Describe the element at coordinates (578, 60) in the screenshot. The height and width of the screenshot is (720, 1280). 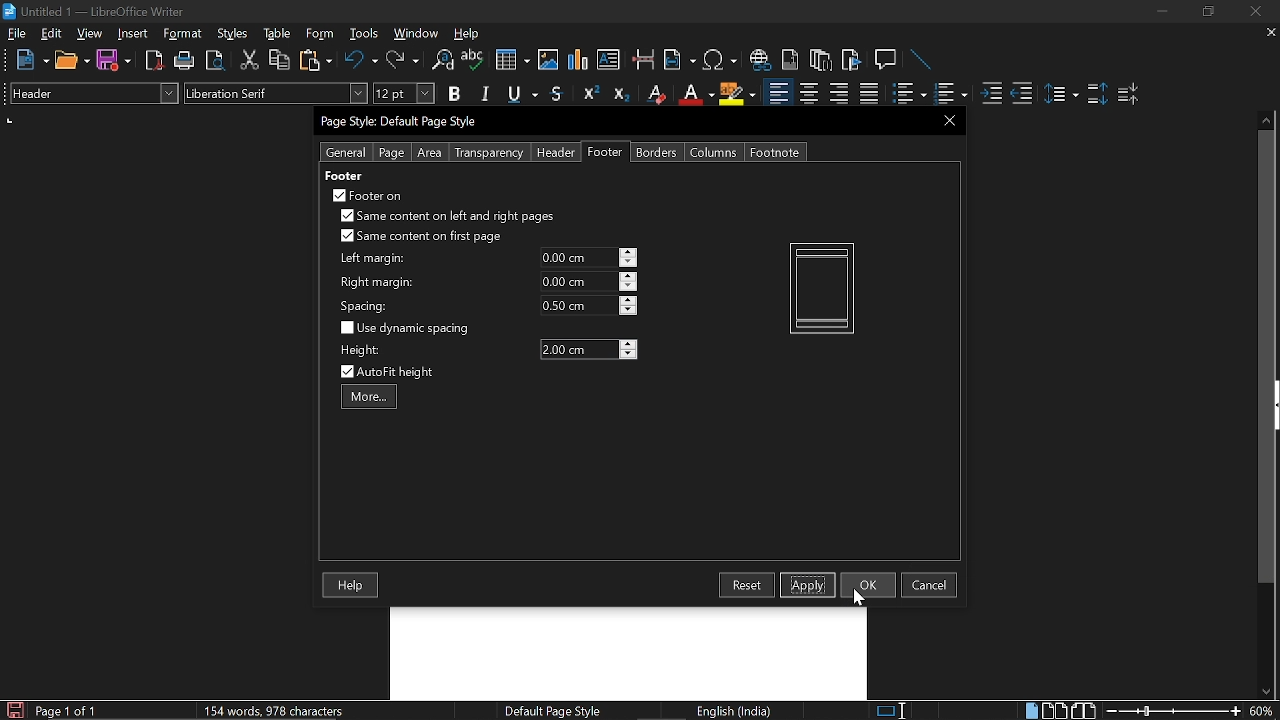
I see `insert diagram` at that location.